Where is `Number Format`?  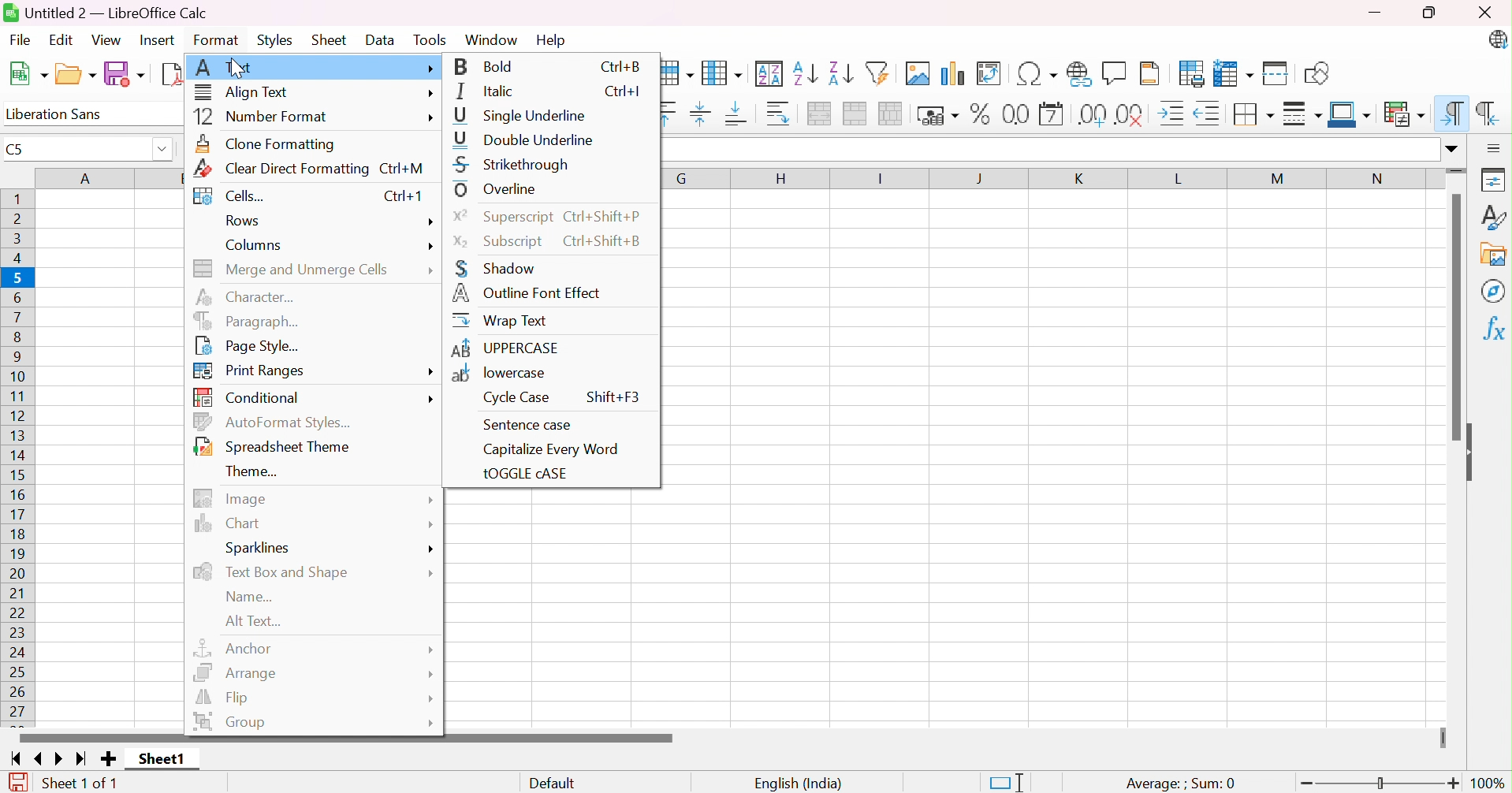 Number Format is located at coordinates (266, 117).